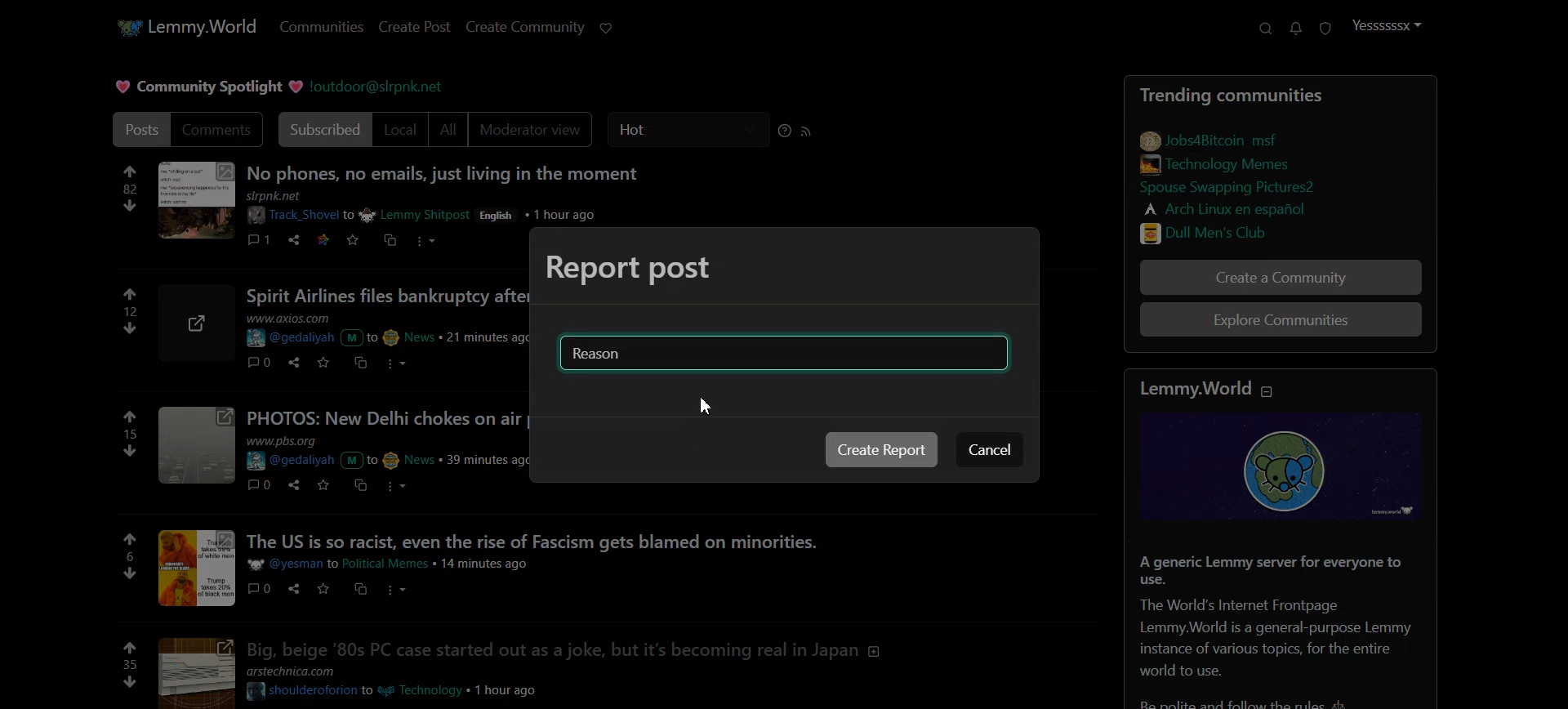 Image resolution: width=1568 pixels, height=709 pixels. I want to click on link, so click(1250, 231).